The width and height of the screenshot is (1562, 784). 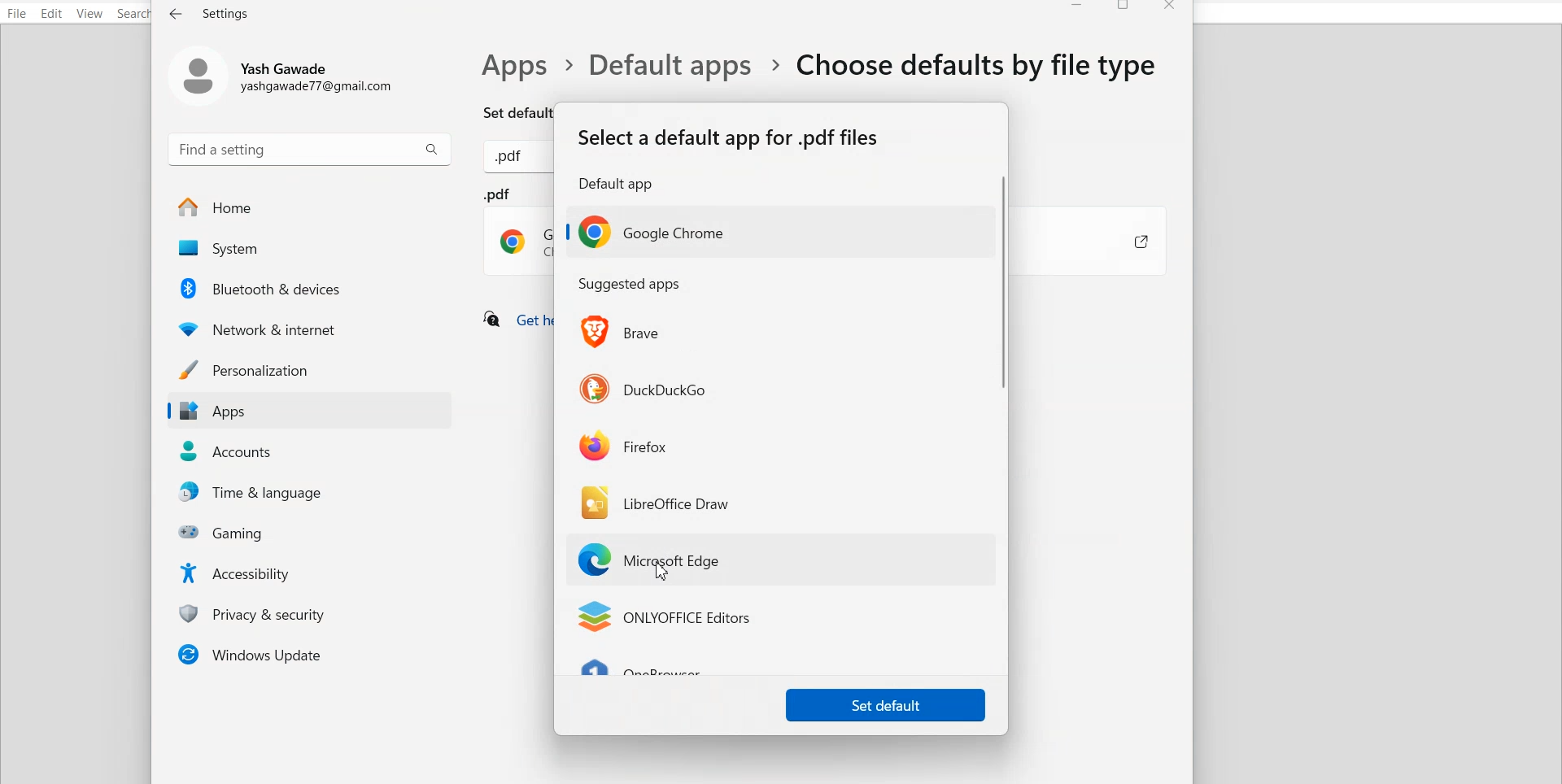 I want to click on Gaming, so click(x=314, y=531).